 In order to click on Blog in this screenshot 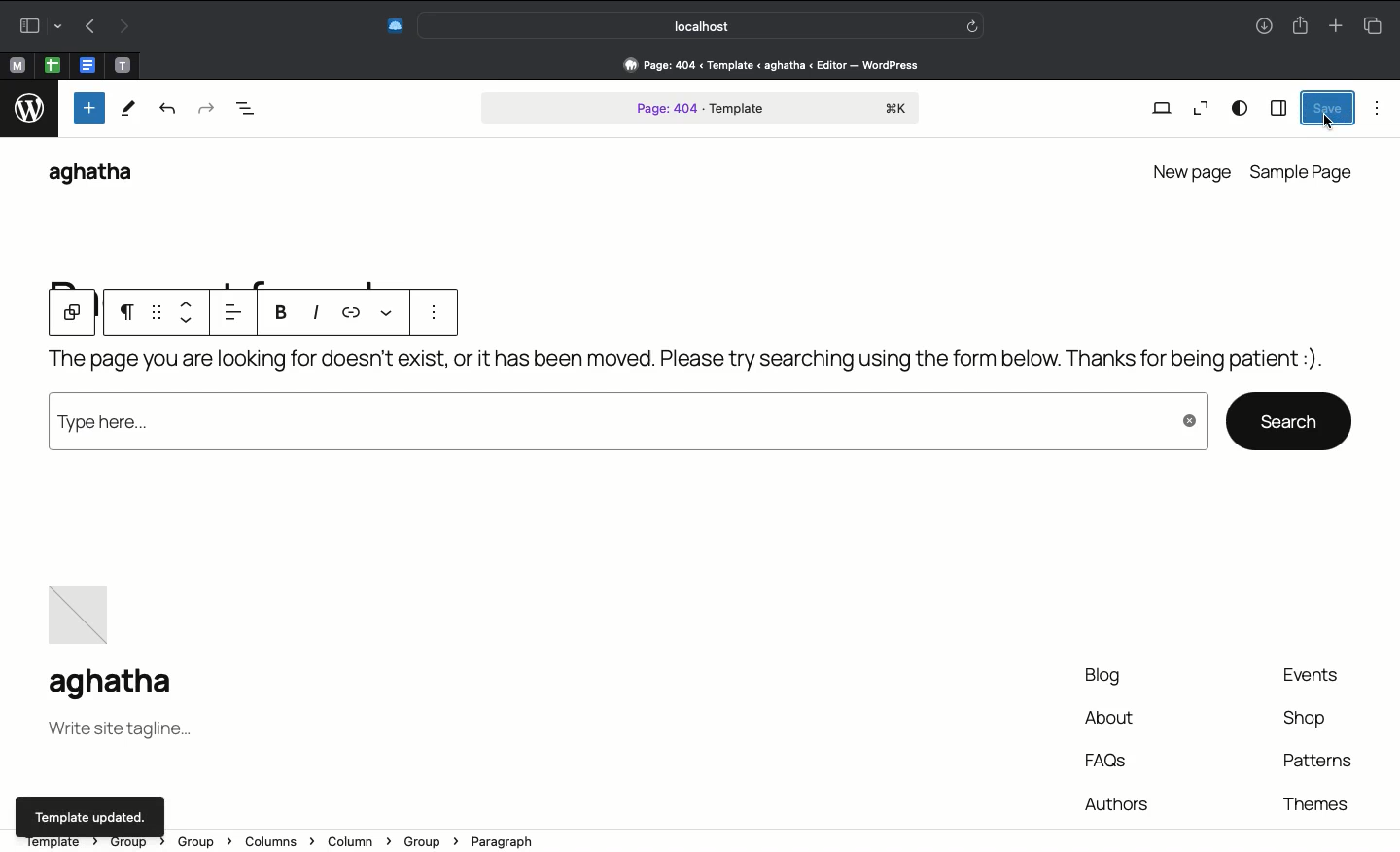, I will do `click(1097, 677)`.